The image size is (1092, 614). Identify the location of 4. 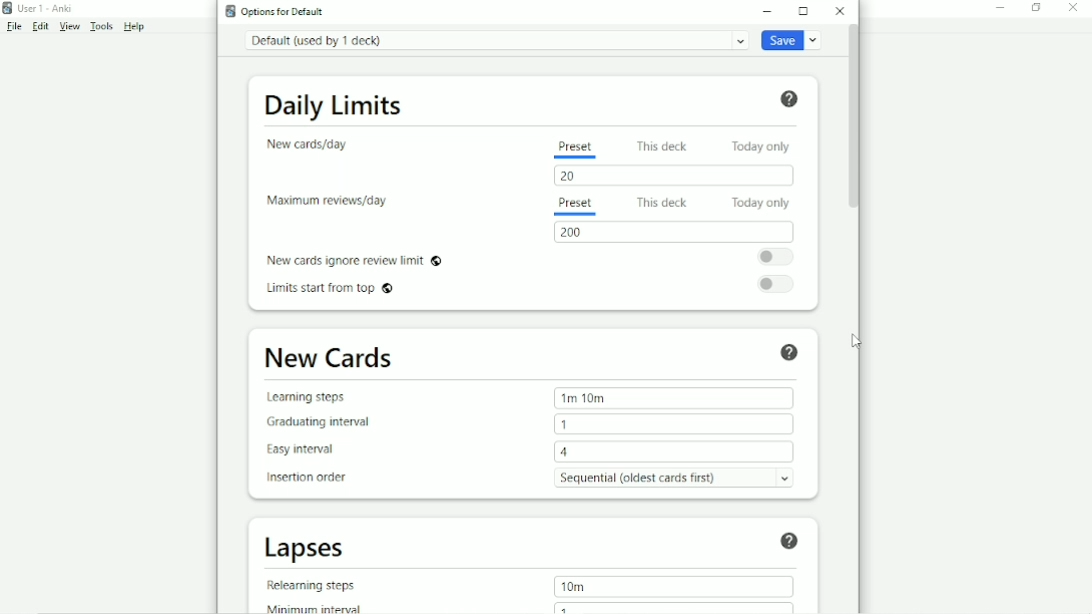
(674, 452).